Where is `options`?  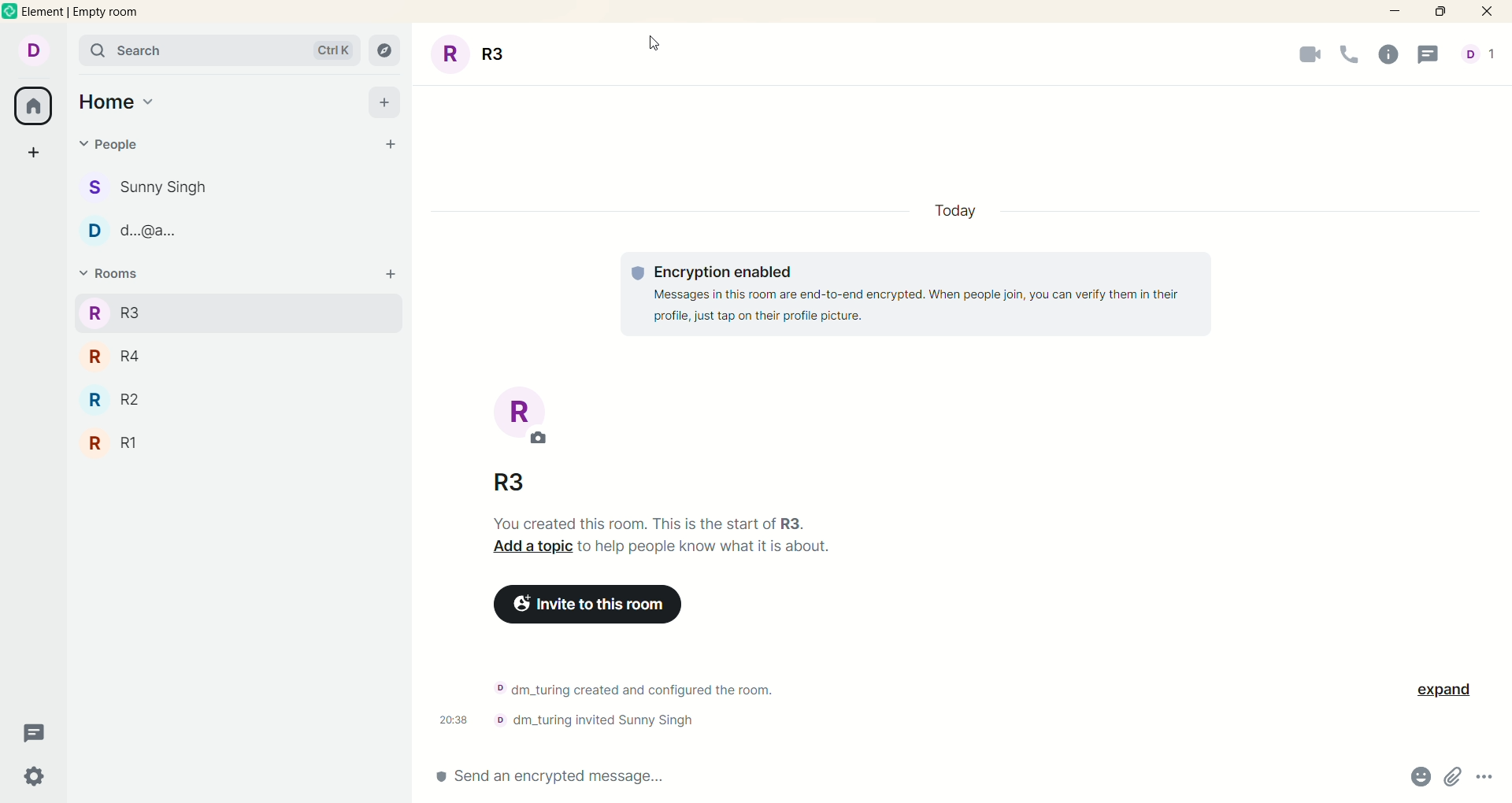 options is located at coordinates (1486, 782).